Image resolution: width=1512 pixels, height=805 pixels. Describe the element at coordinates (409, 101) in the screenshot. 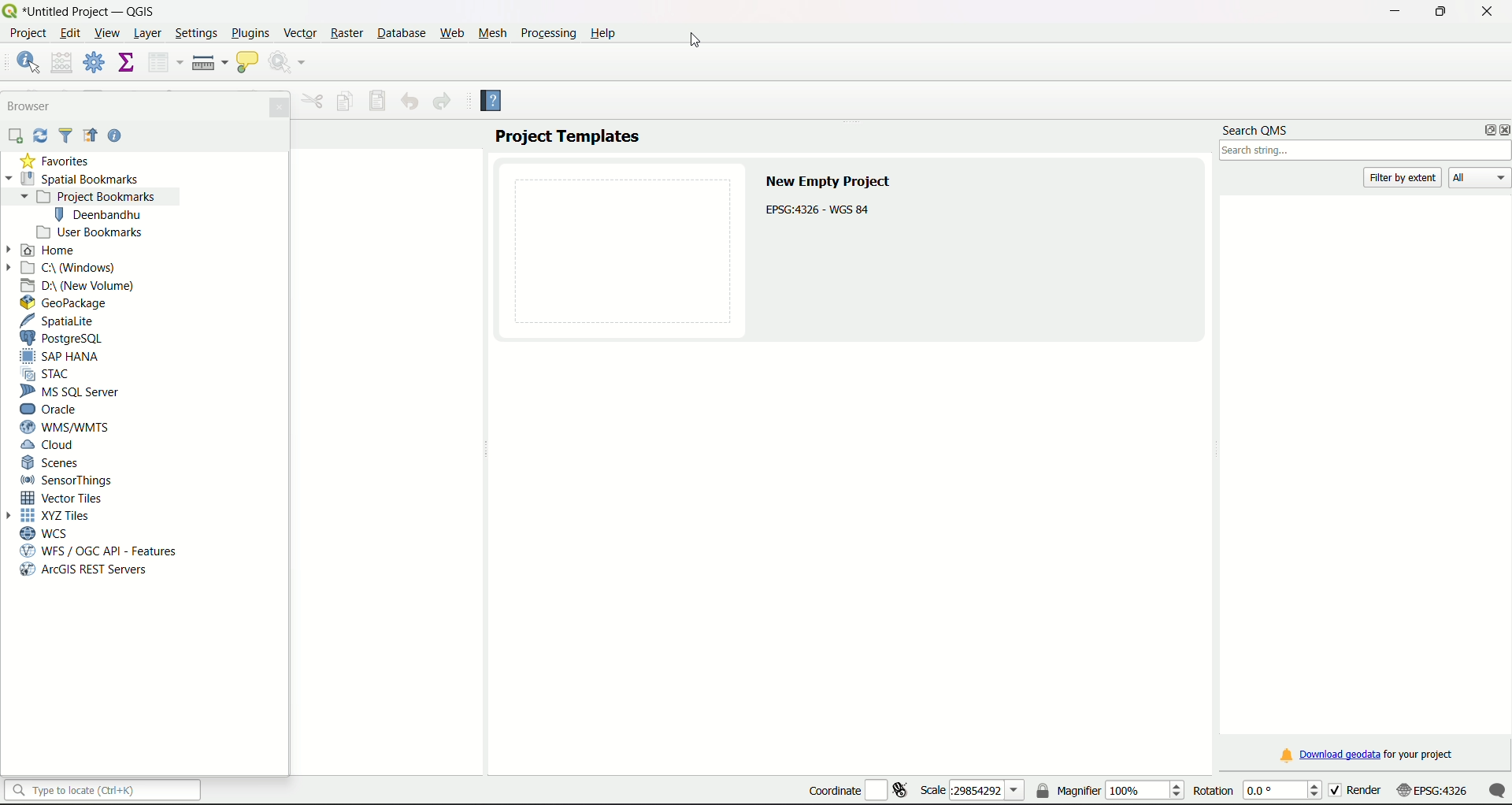

I see `Undo` at that location.